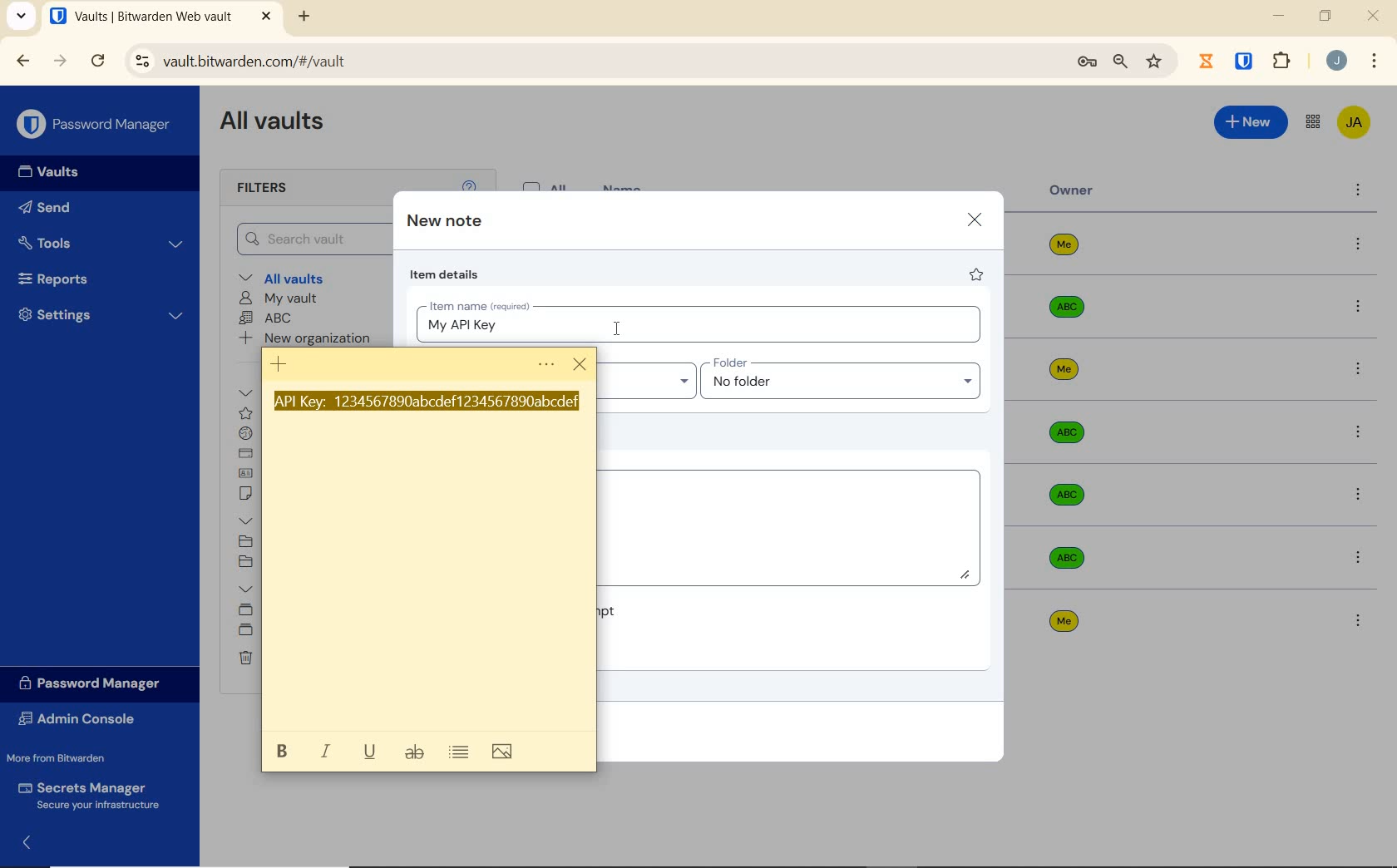  What do you see at coordinates (246, 455) in the screenshot?
I see `card` at bounding box center [246, 455].